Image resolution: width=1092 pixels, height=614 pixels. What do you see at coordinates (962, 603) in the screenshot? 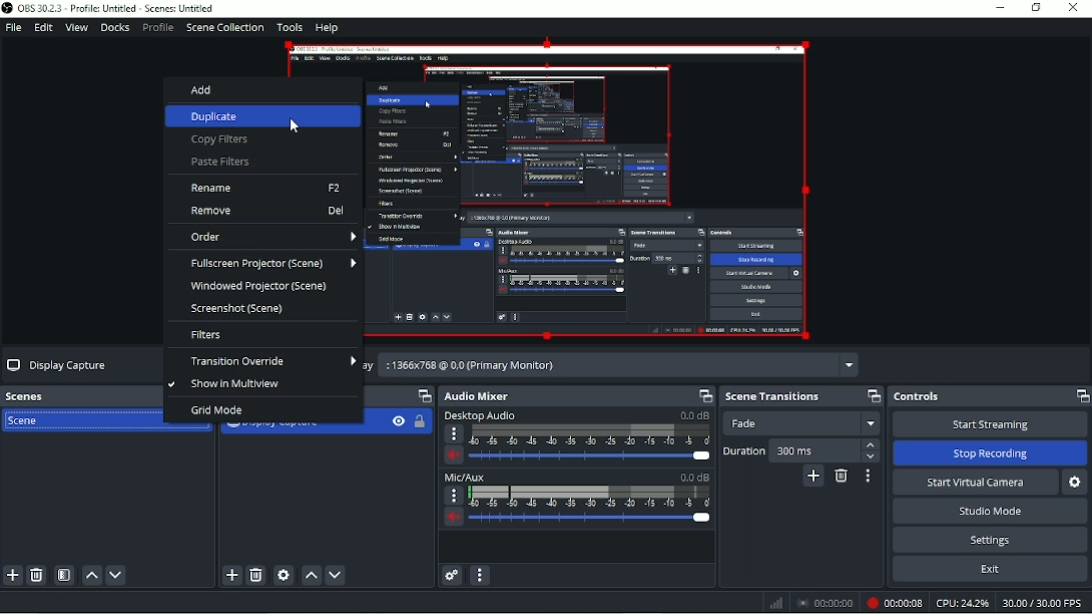
I see `CPU: 20.8%` at bounding box center [962, 603].